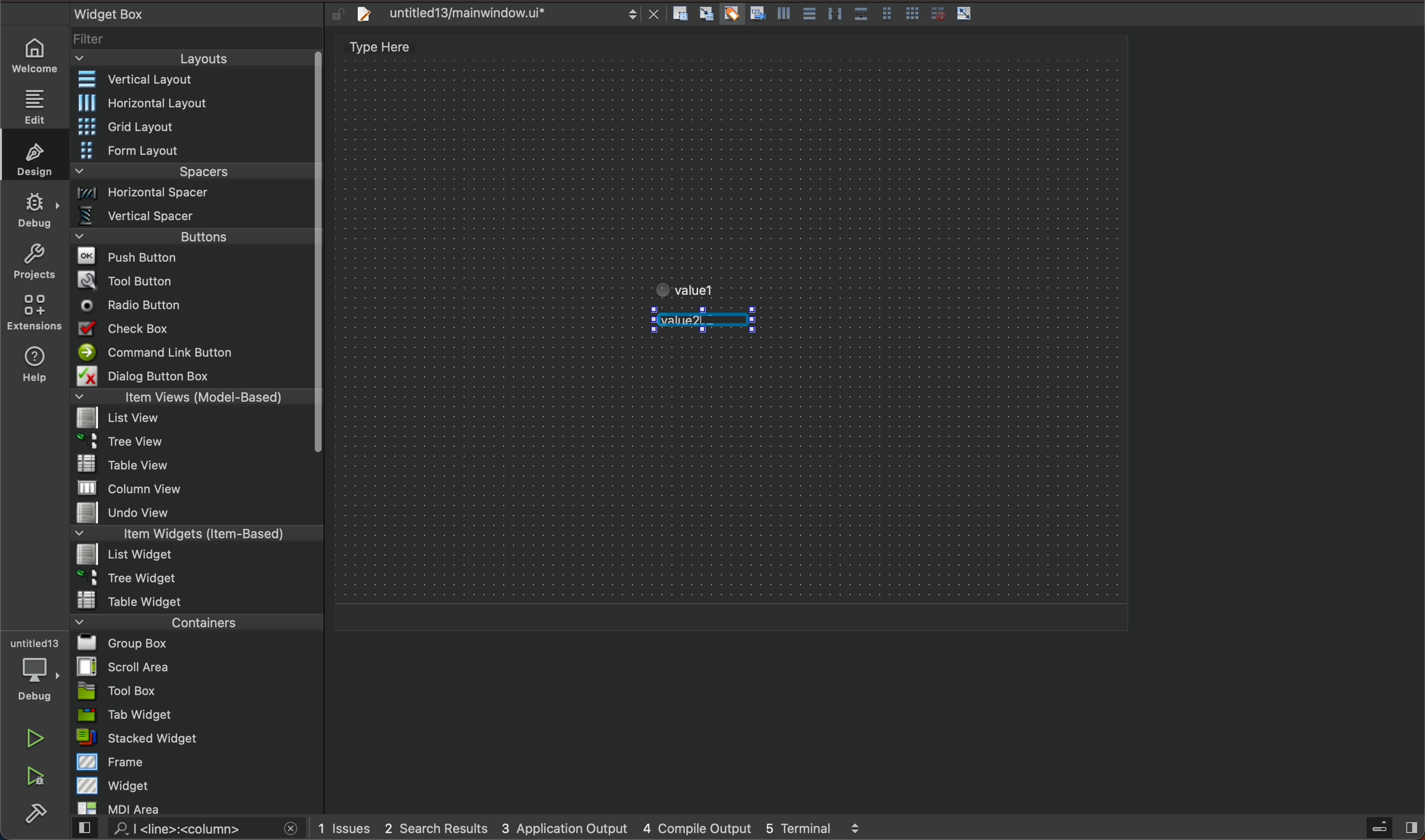  I want to click on tab, so click(199, 714).